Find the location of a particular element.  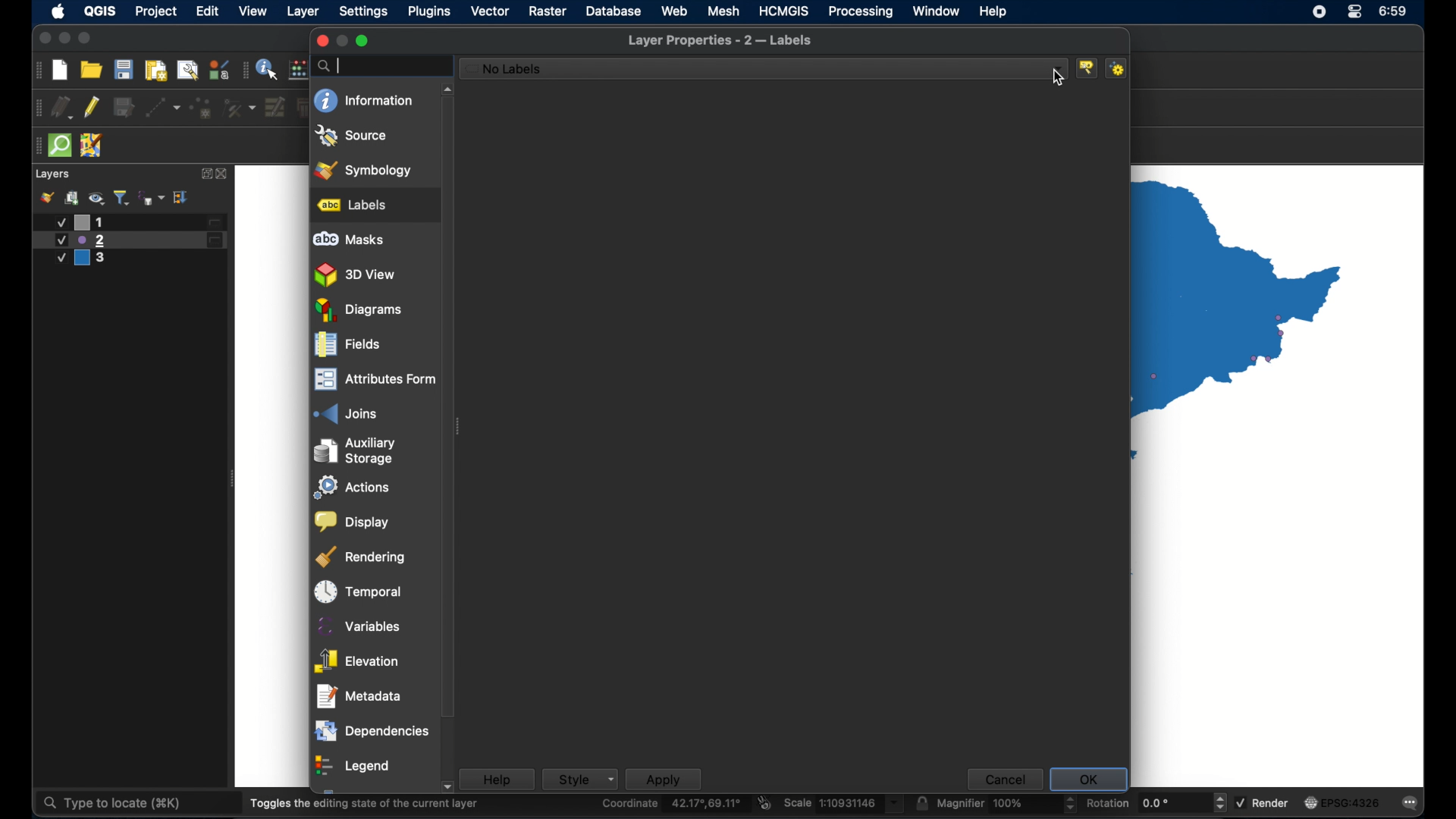

toggle extents and mouse display position is located at coordinates (765, 802).